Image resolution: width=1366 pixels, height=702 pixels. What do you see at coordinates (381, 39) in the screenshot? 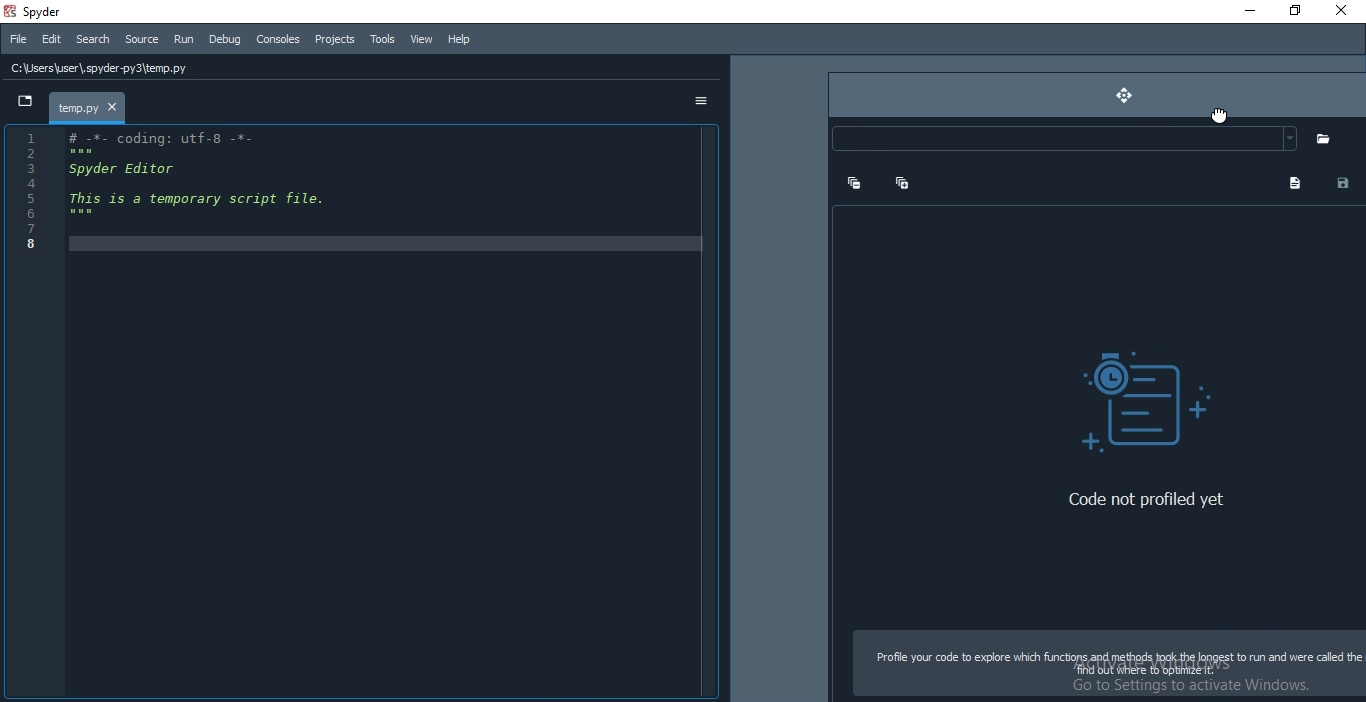
I see `Tools` at bounding box center [381, 39].